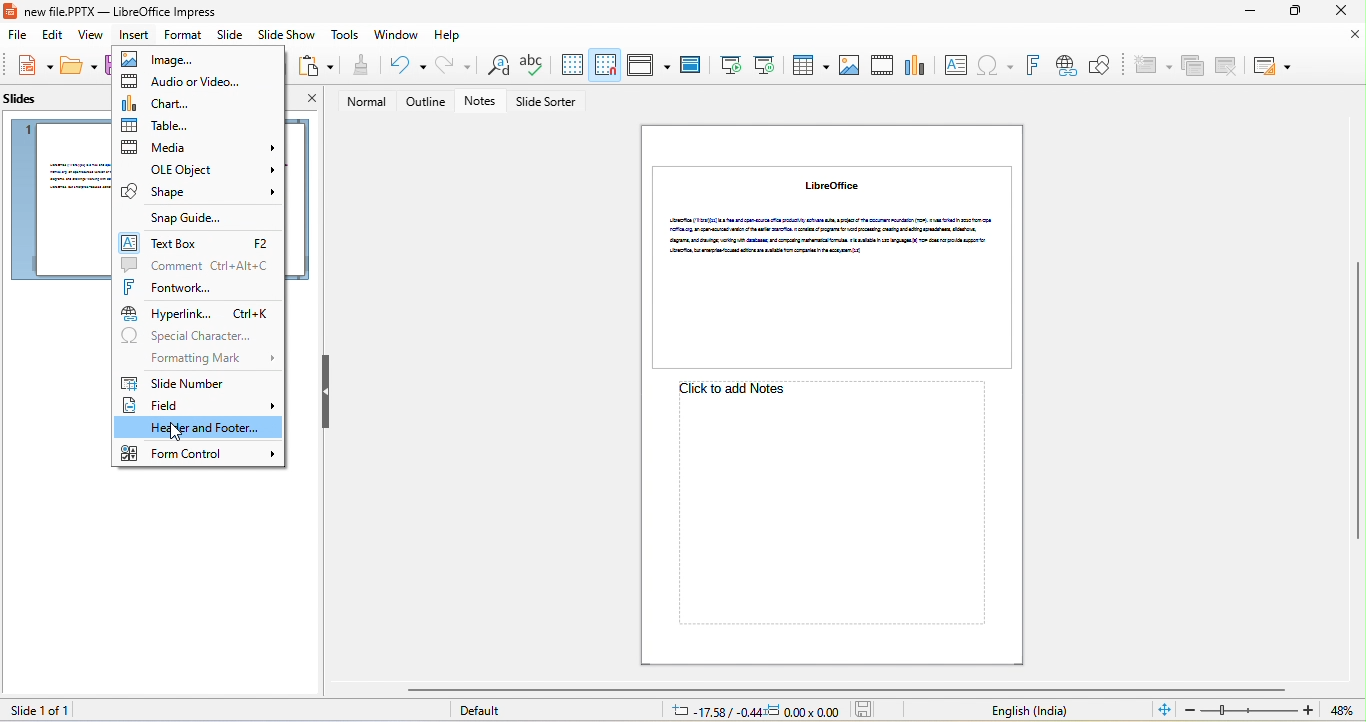  Describe the element at coordinates (311, 101) in the screenshot. I see `close` at that location.